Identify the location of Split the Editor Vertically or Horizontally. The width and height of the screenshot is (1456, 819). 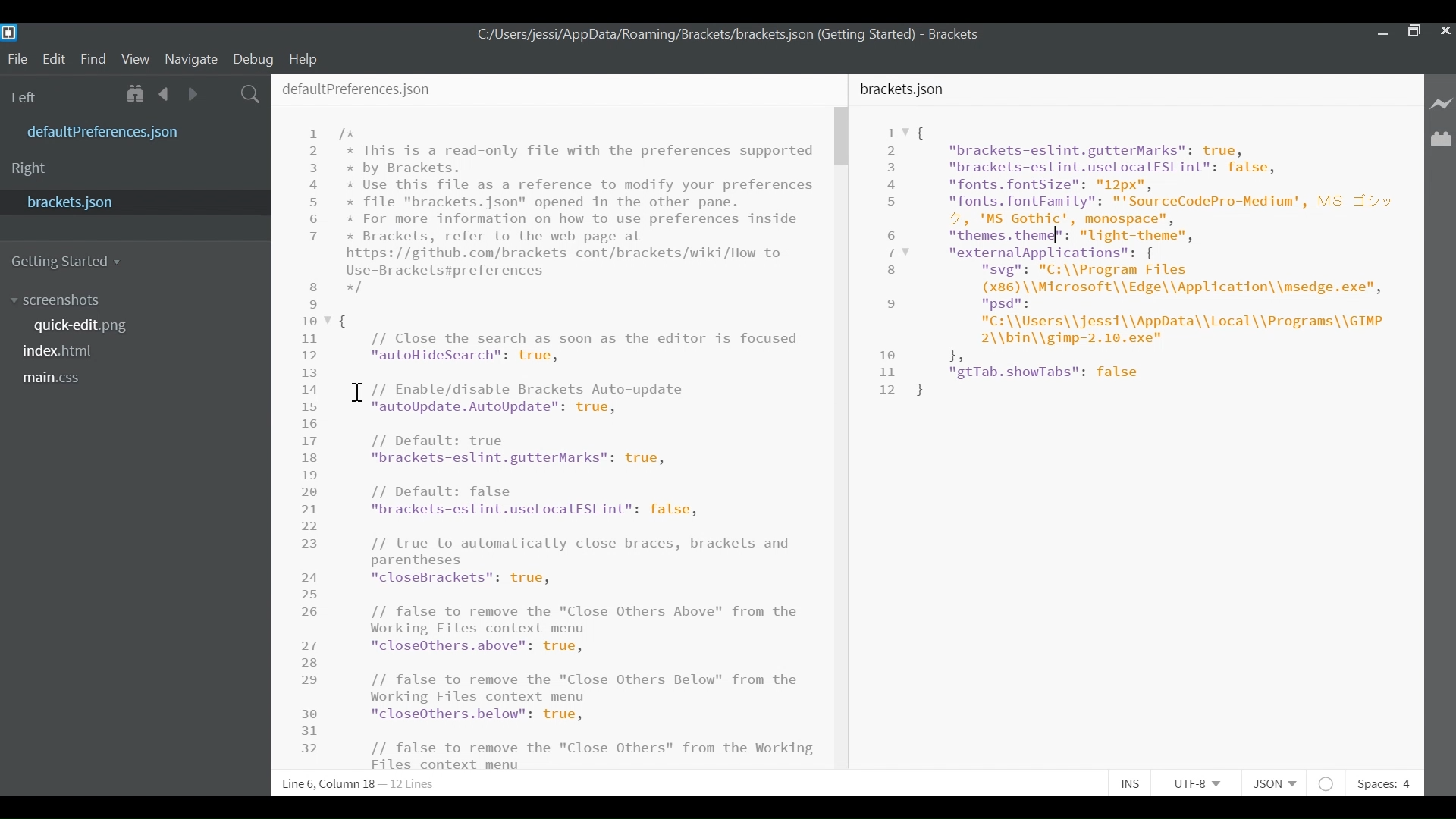
(221, 93).